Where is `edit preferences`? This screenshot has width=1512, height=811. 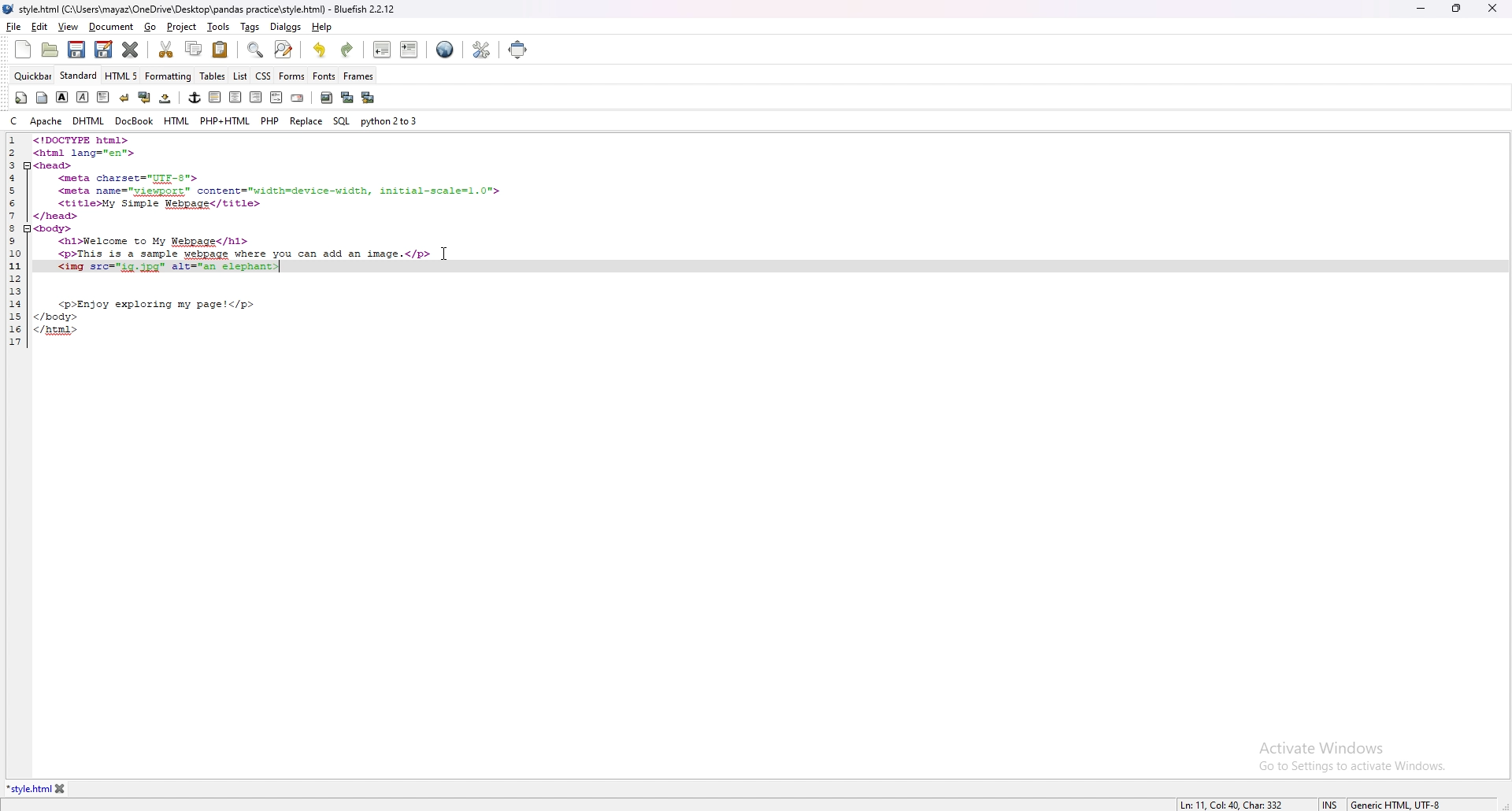 edit preferences is located at coordinates (481, 50).